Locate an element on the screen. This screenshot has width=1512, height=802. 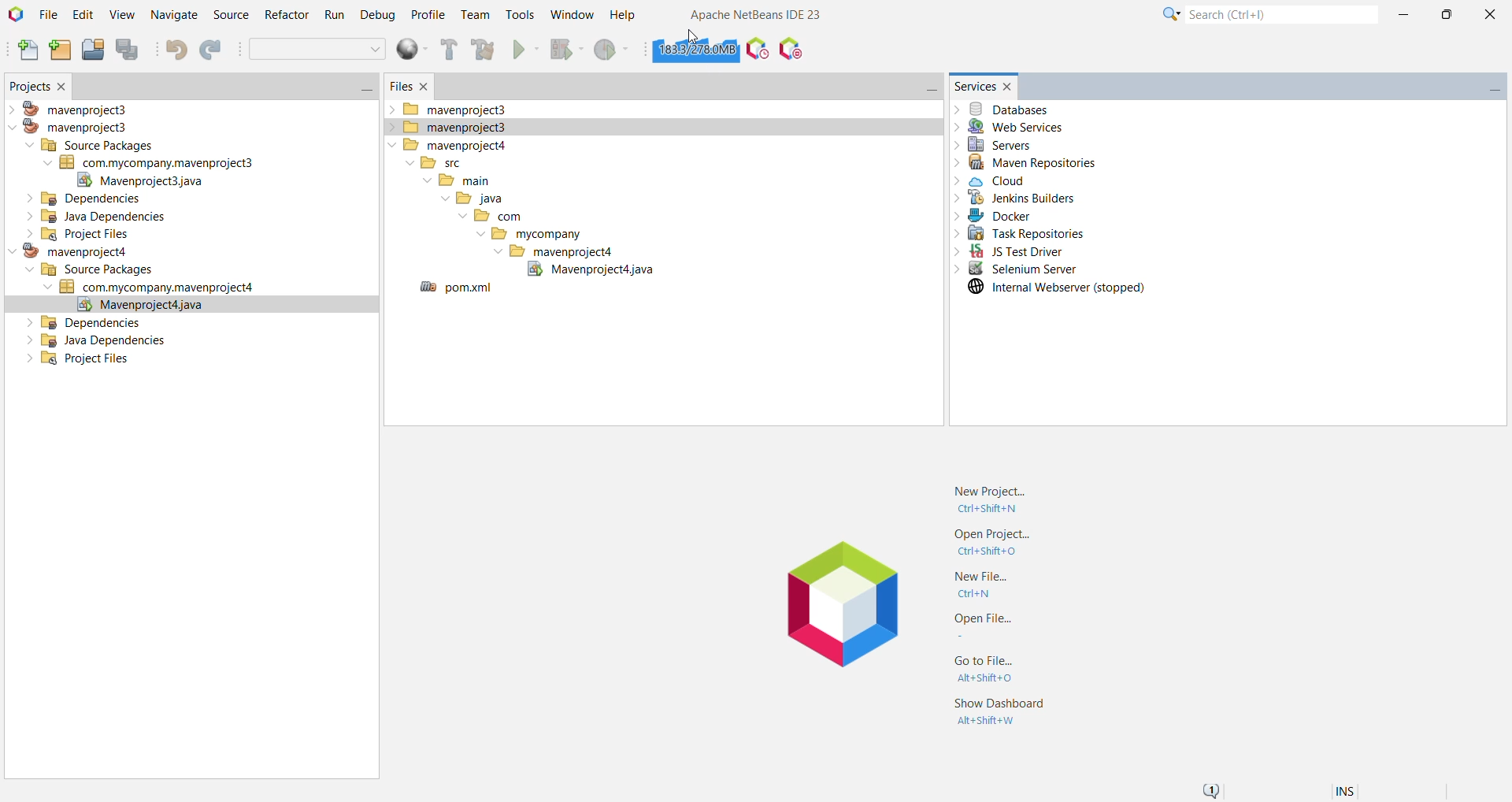
File is located at coordinates (49, 15).